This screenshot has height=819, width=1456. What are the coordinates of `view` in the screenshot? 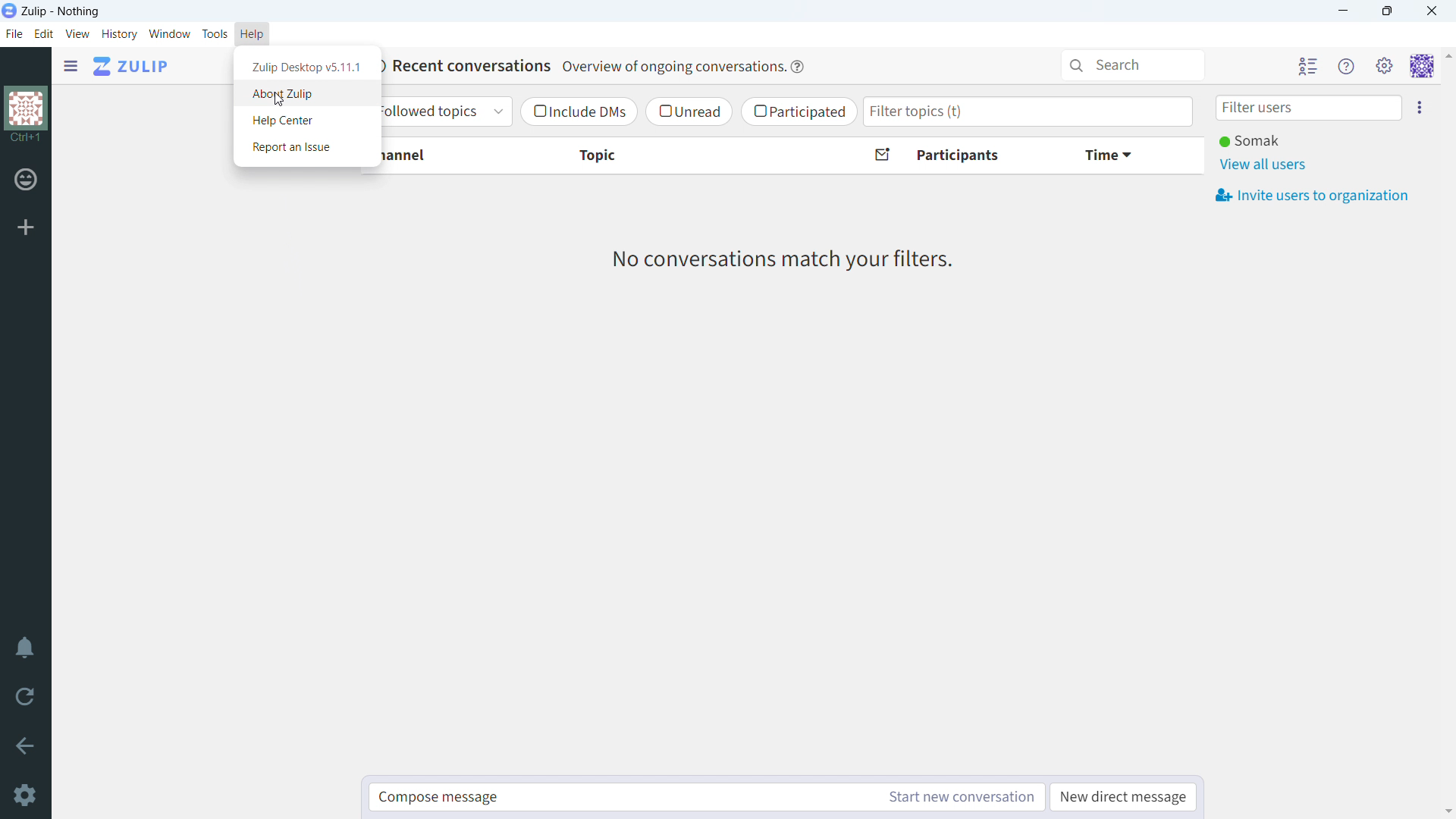 It's located at (78, 33).